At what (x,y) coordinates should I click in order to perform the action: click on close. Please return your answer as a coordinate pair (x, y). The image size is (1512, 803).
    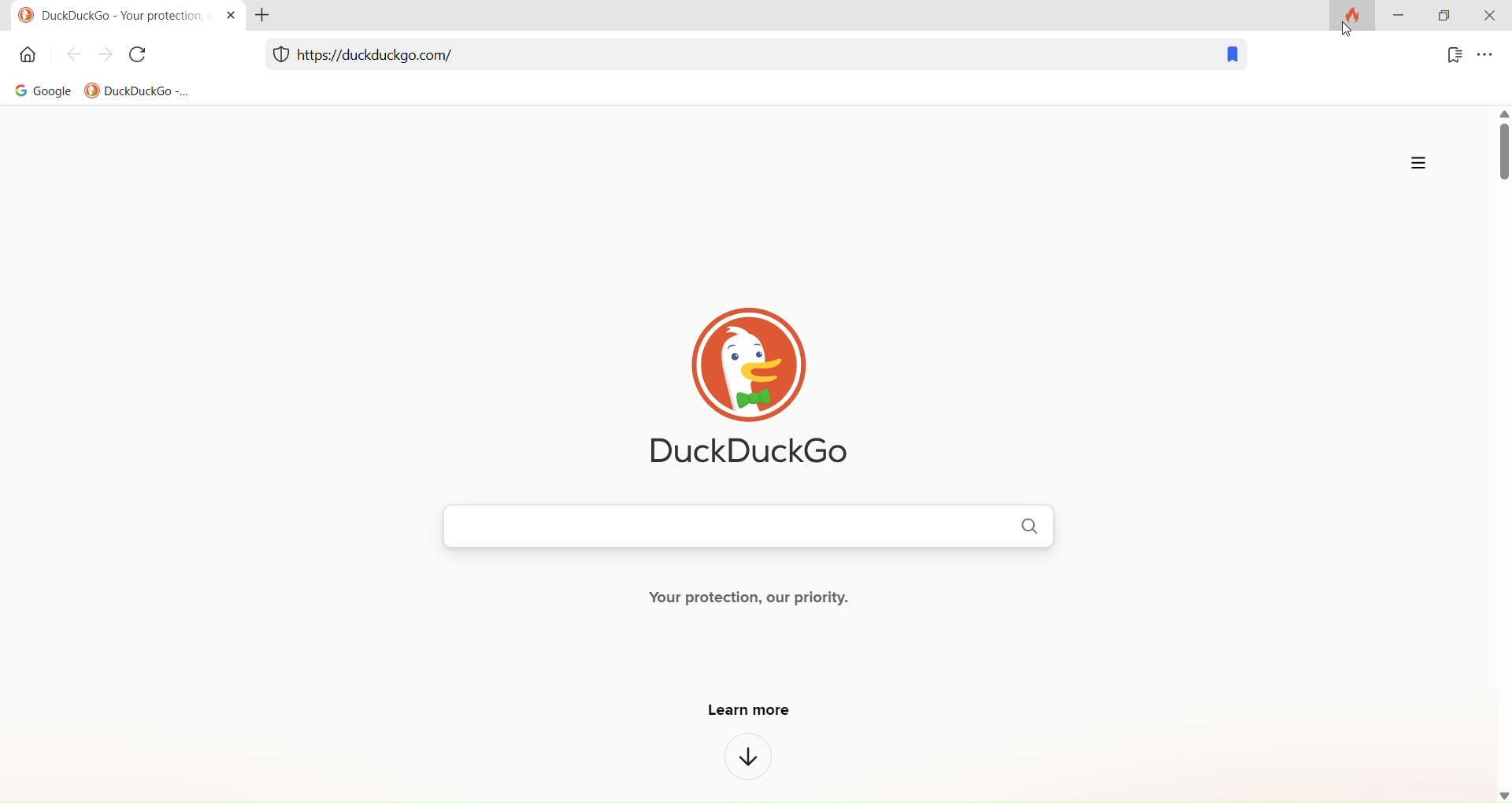
    Looking at the image, I should click on (1488, 17).